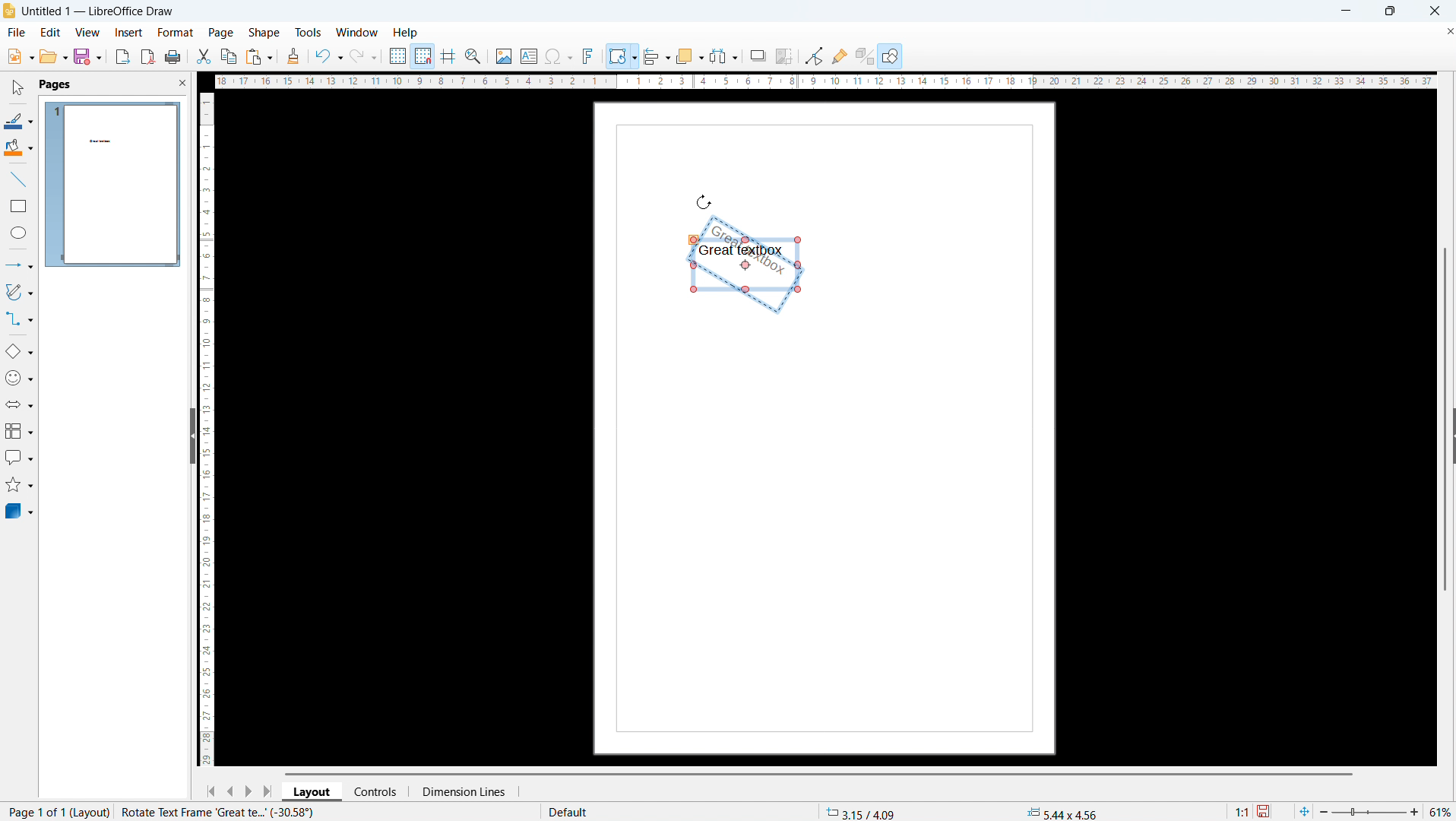  Describe the element at coordinates (504, 55) in the screenshot. I see `insert image` at that location.